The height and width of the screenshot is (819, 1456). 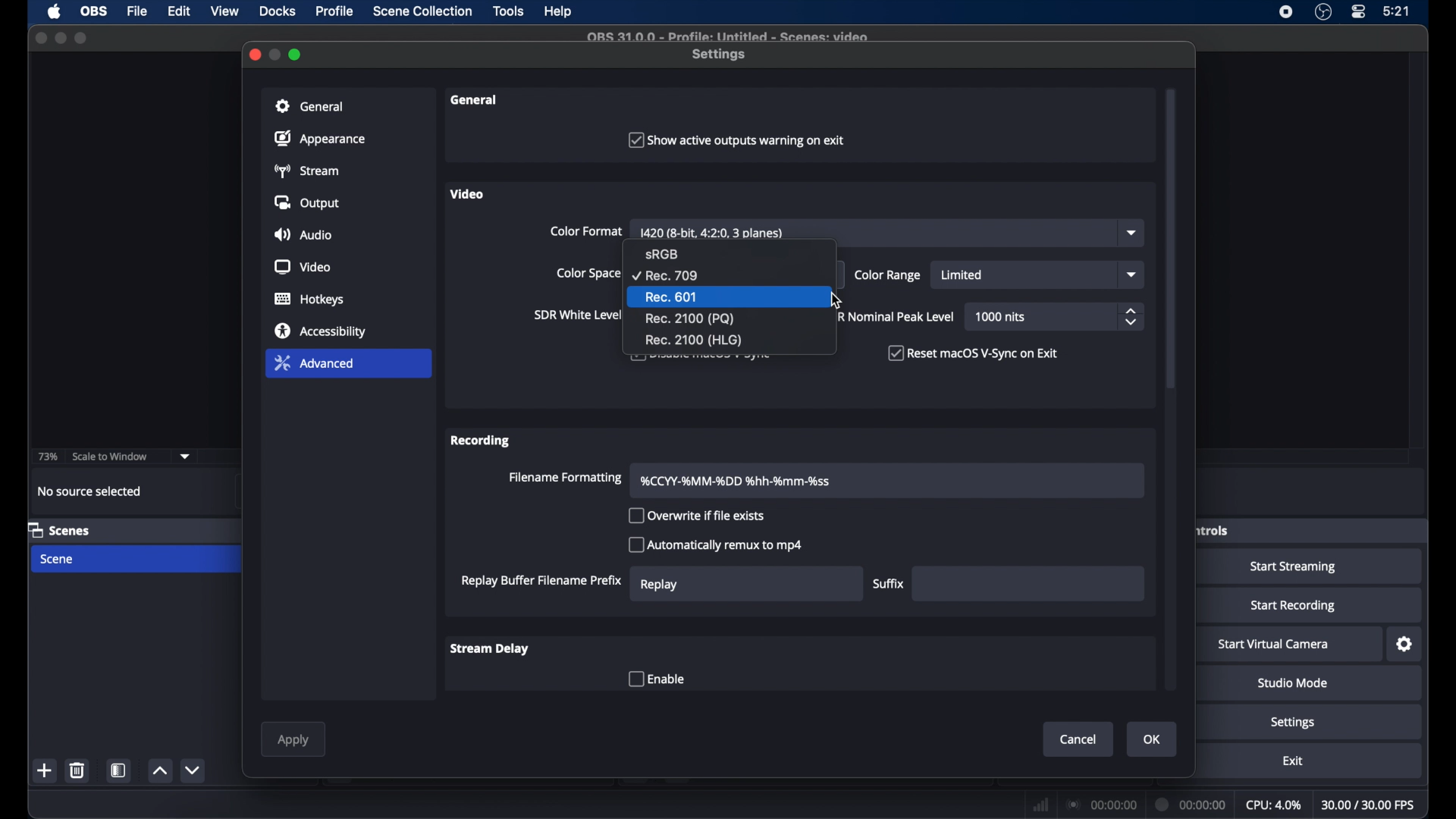 What do you see at coordinates (559, 12) in the screenshot?
I see `help` at bounding box center [559, 12].